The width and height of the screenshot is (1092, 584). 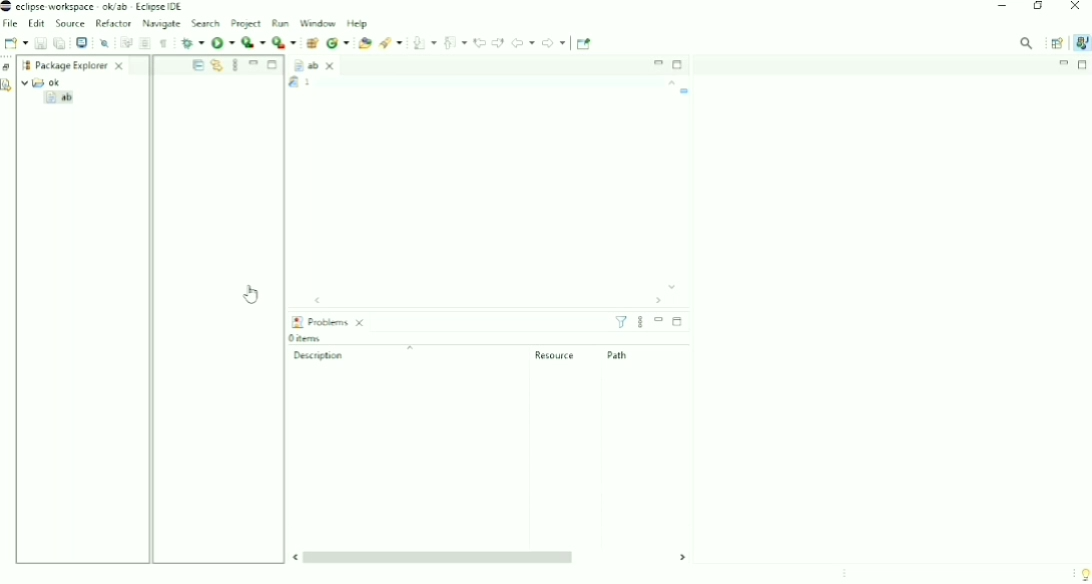 What do you see at coordinates (476, 301) in the screenshot?
I see `Horizontal scrollbar` at bounding box center [476, 301].